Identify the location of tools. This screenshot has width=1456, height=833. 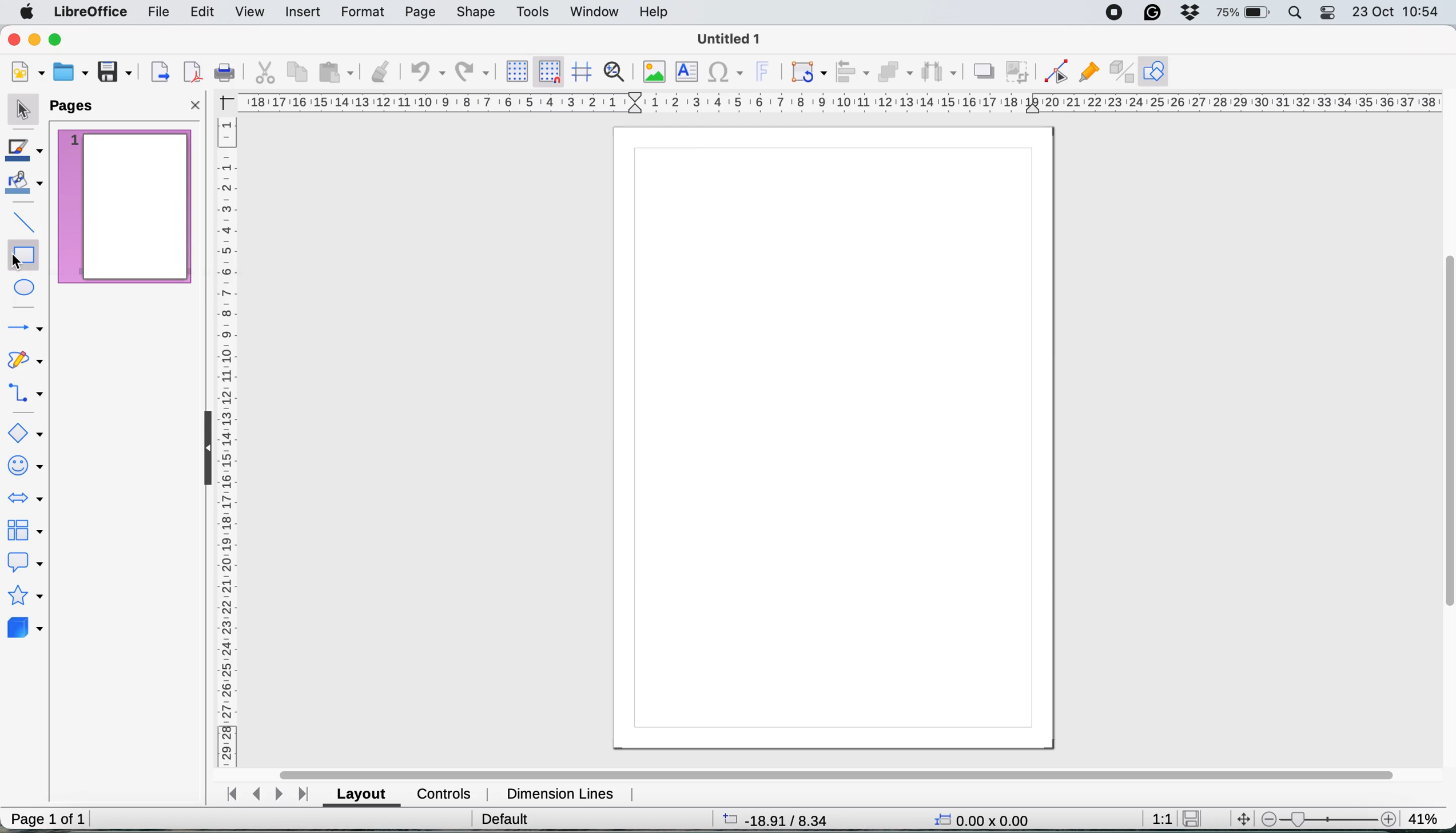
(534, 11).